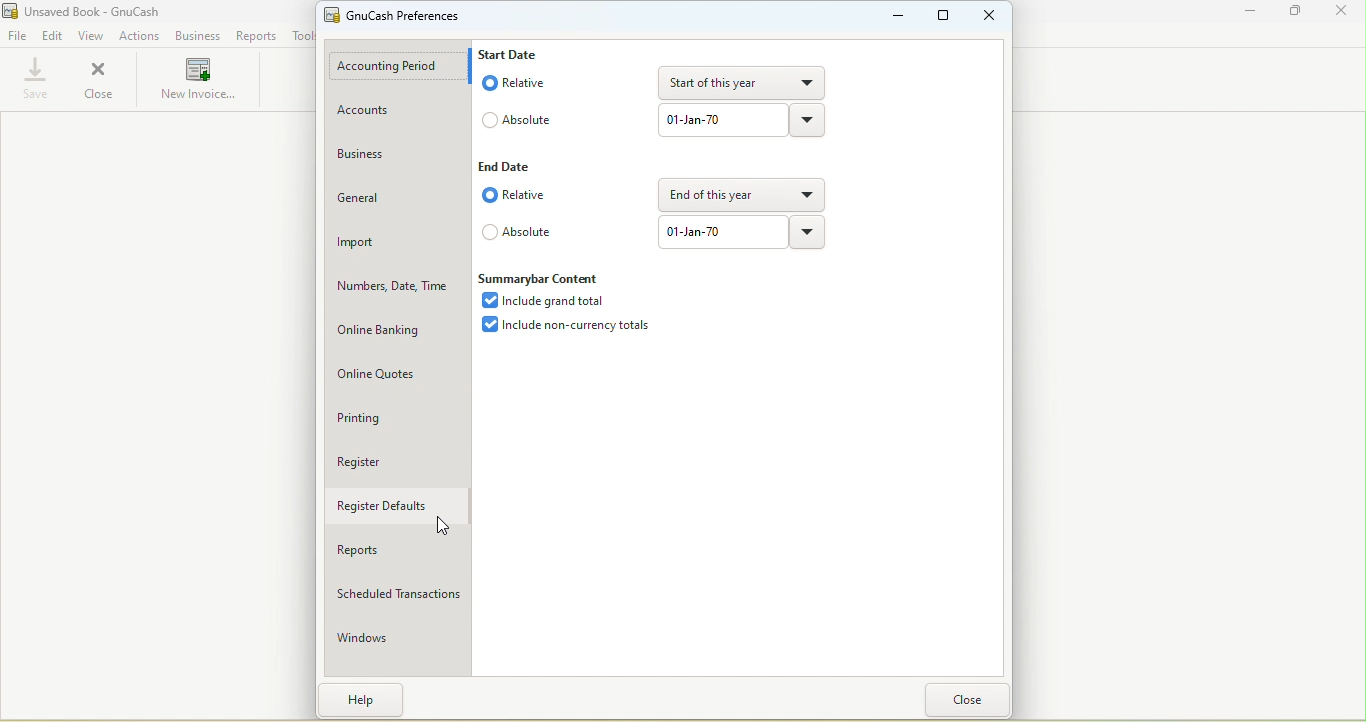  What do you see at coordinates (400, 334) in the screenshot?
I see `Online banking` at bounding box center [400, 334].